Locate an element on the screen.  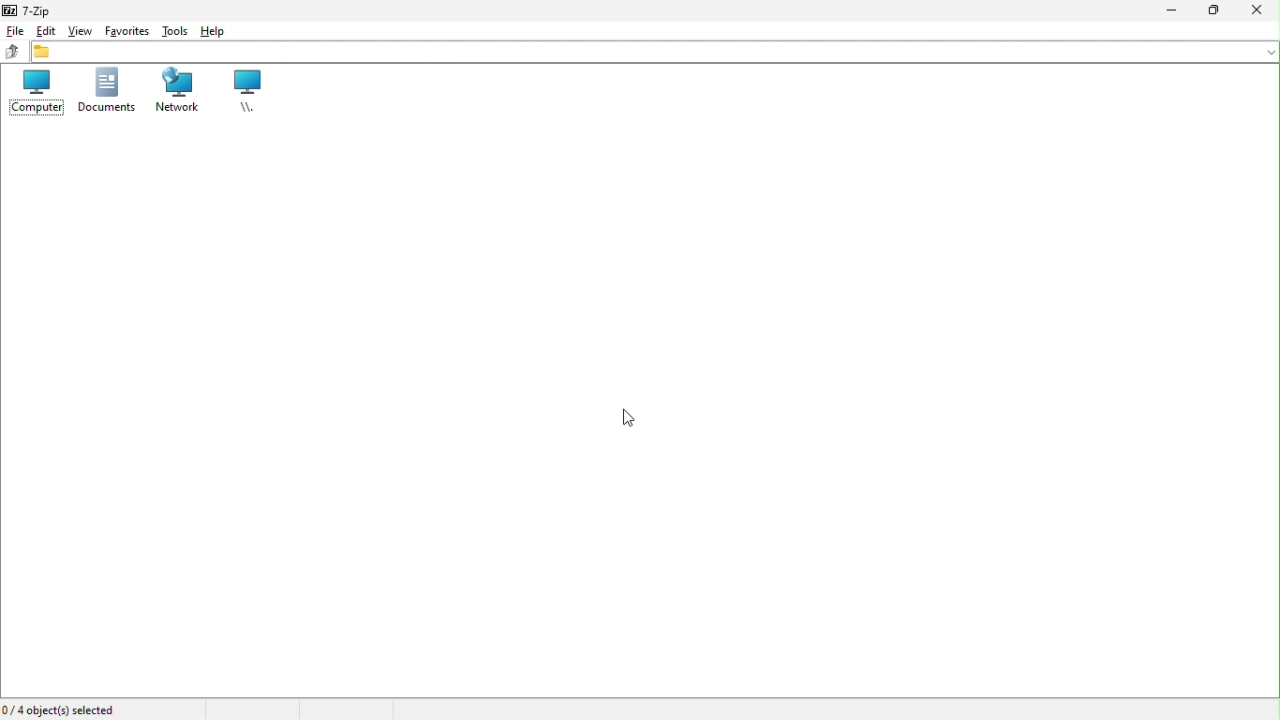
Minimize is located at coordinates (1175, 16).